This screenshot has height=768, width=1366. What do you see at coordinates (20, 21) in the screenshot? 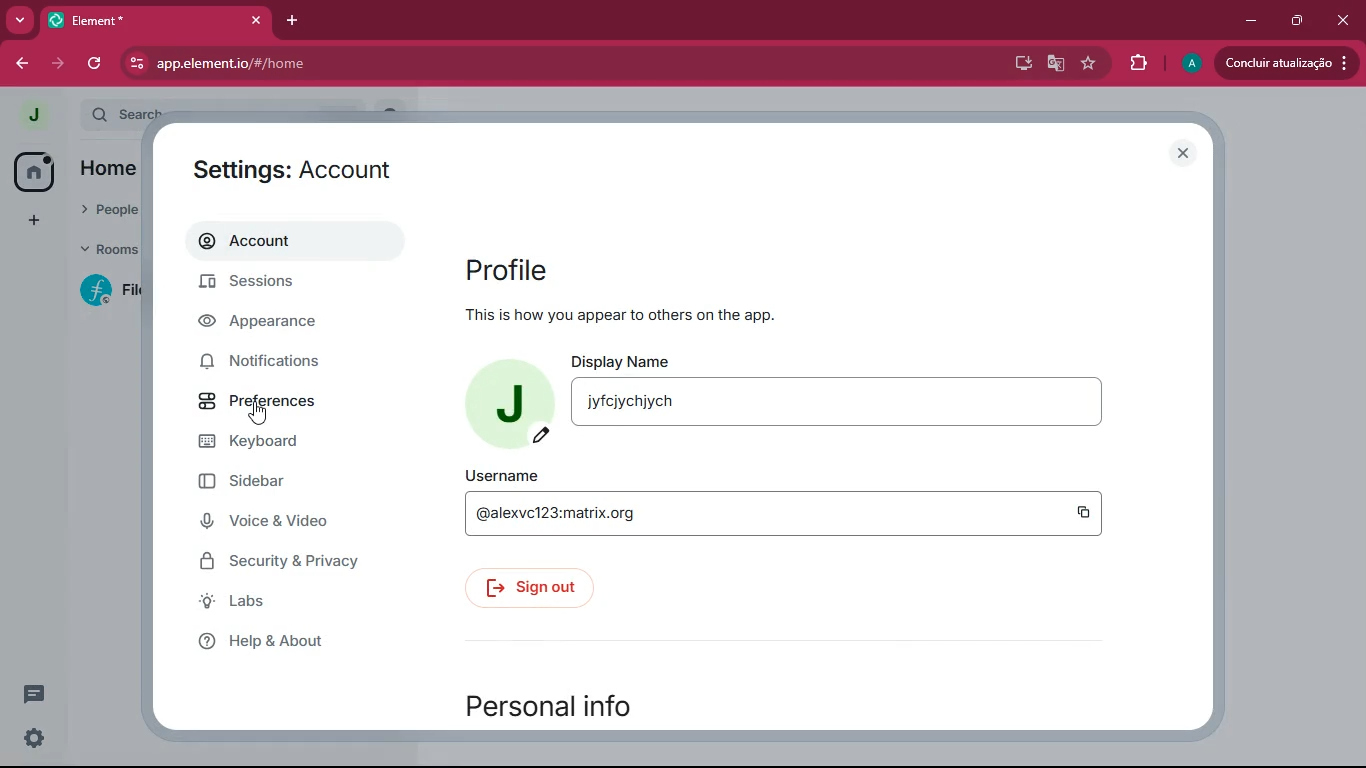
I see `more` at bounding box center [20, 21].